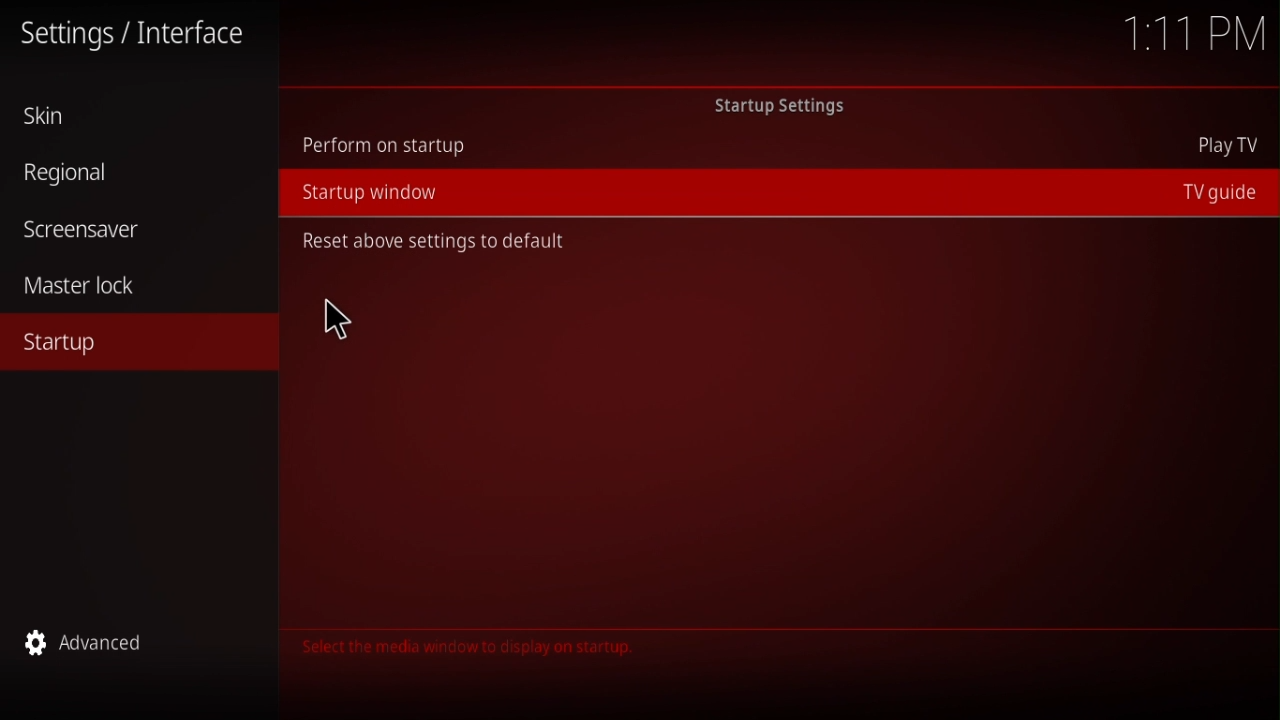 The height and width of the screenshot is (720, 1280). What do you see at coordinates (75, 174) in the screenshot?
I see `regional` at bounding box center [75, 174].